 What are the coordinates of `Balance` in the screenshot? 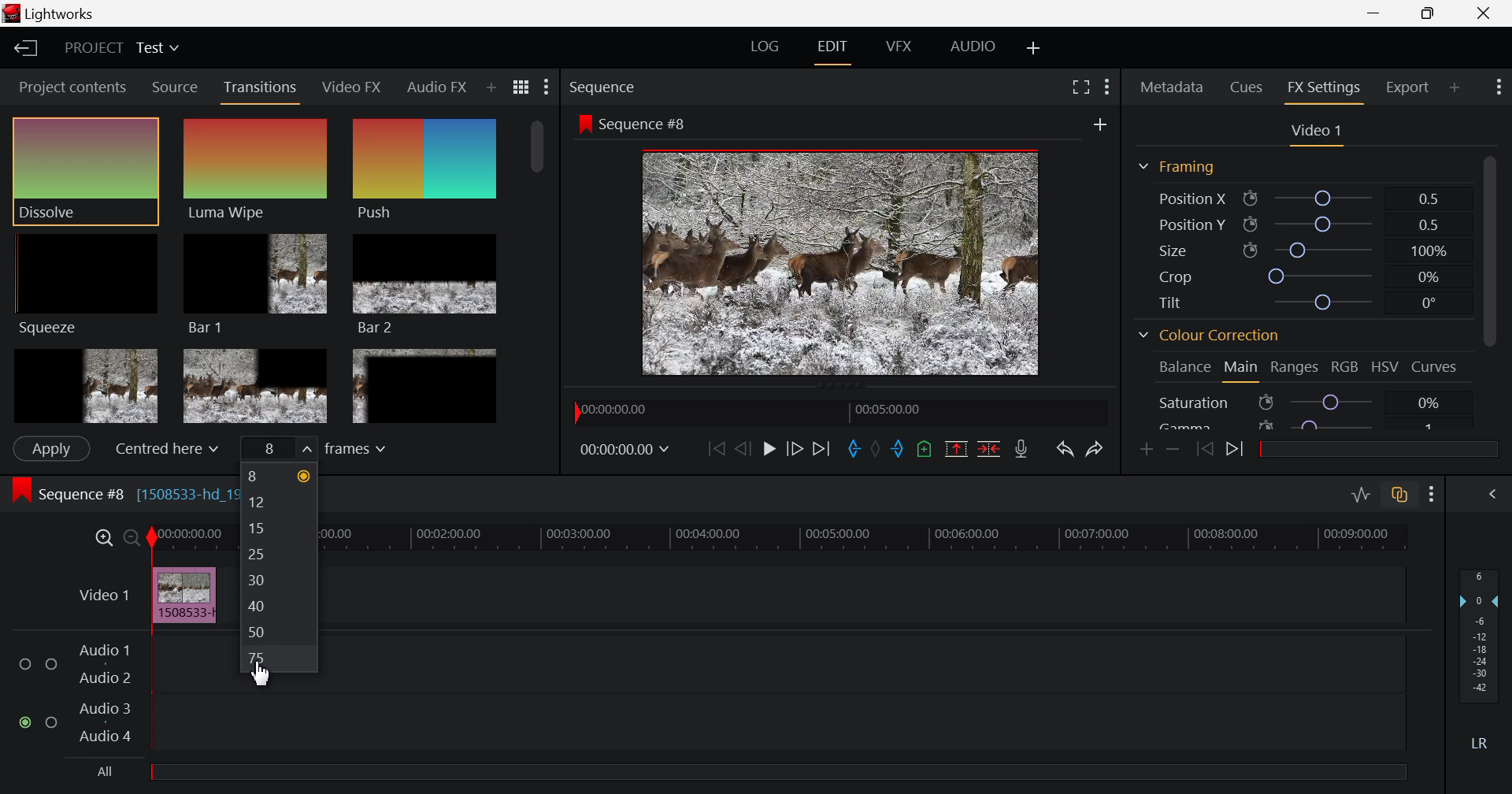 It's located at (1182, 369).